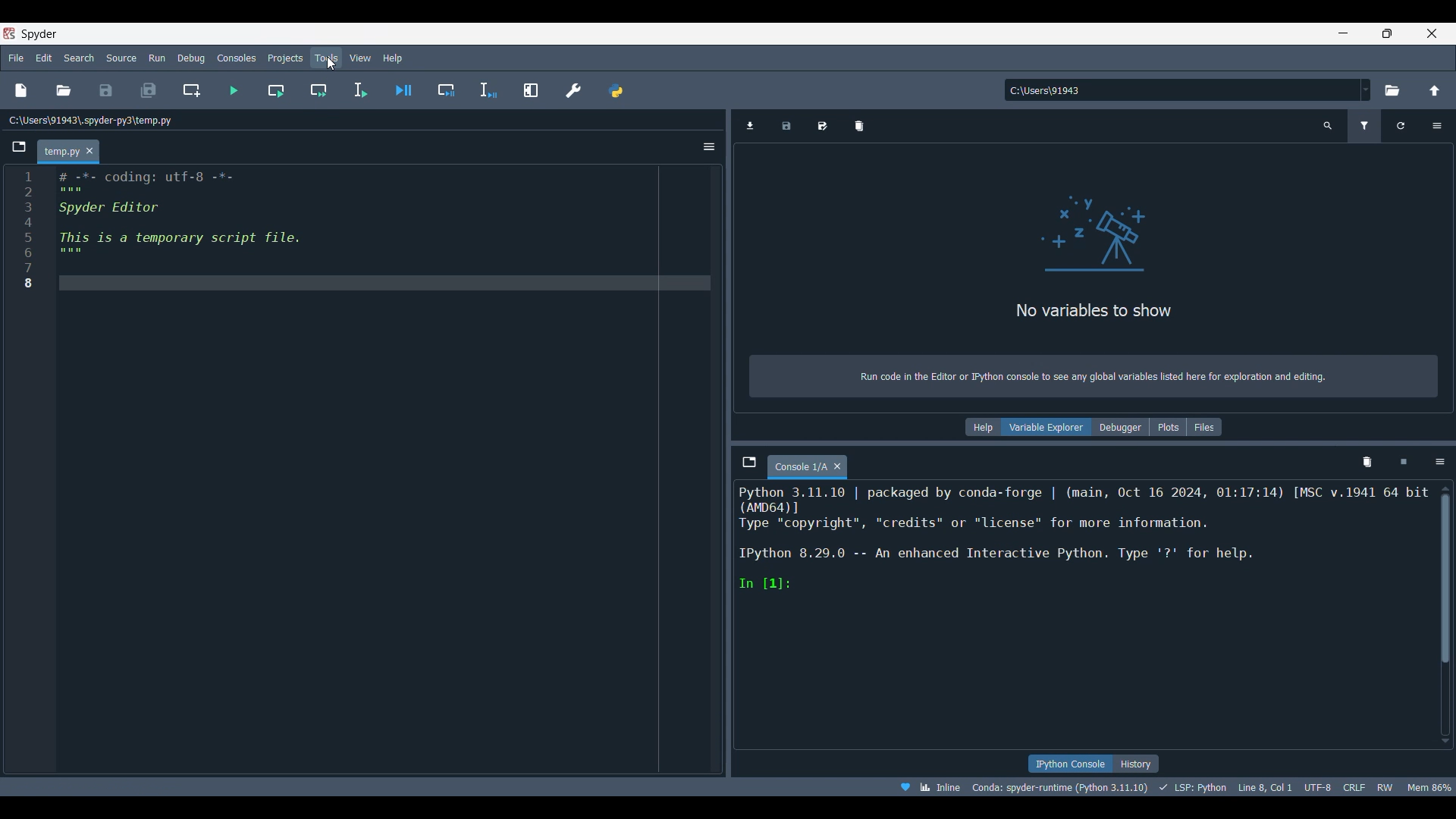  Describe the element at coordinates (336, 65) in the screenshot. I see `cursor` at that location.